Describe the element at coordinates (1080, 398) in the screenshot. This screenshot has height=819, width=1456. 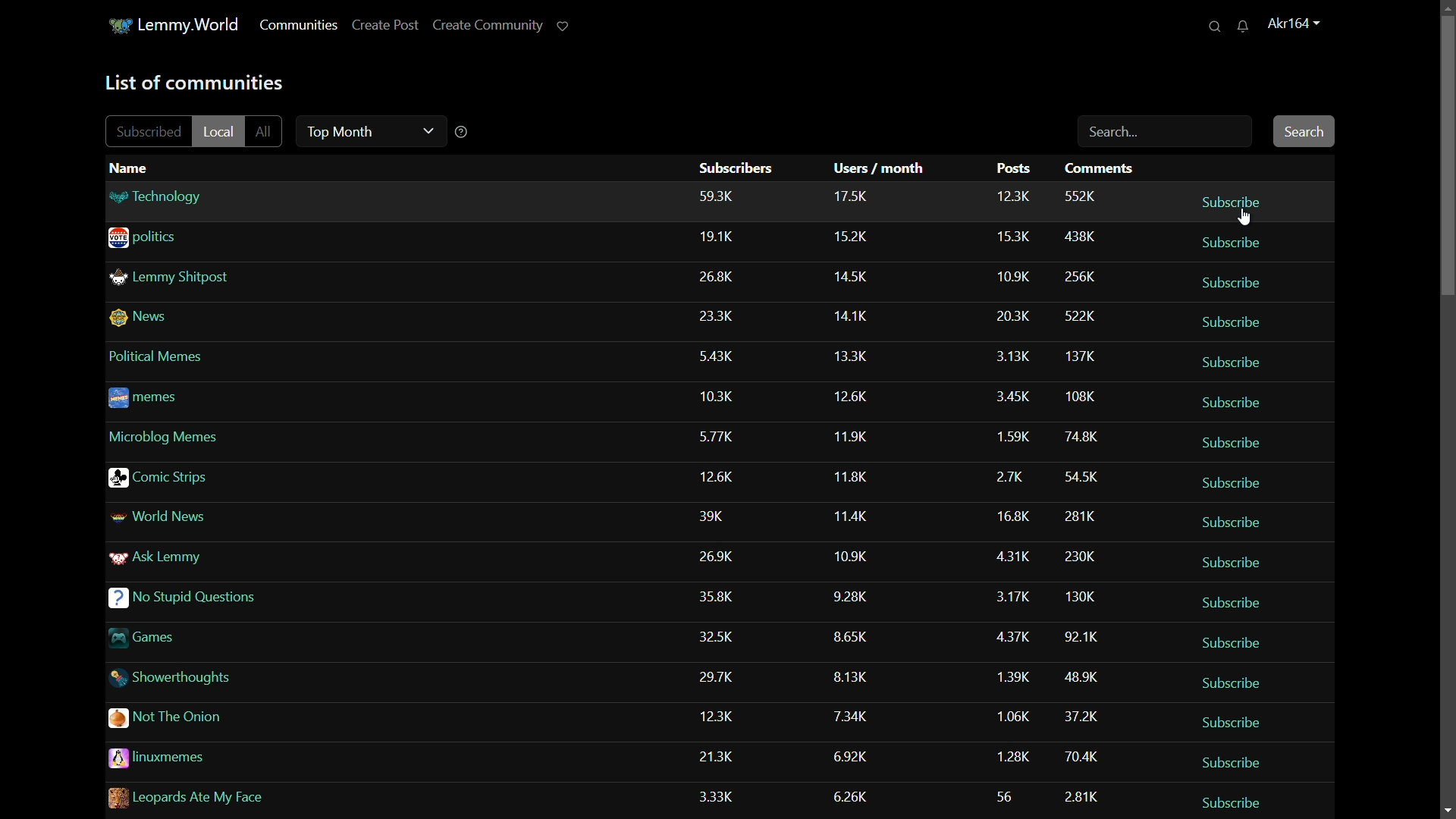
I see `comments` at that location.